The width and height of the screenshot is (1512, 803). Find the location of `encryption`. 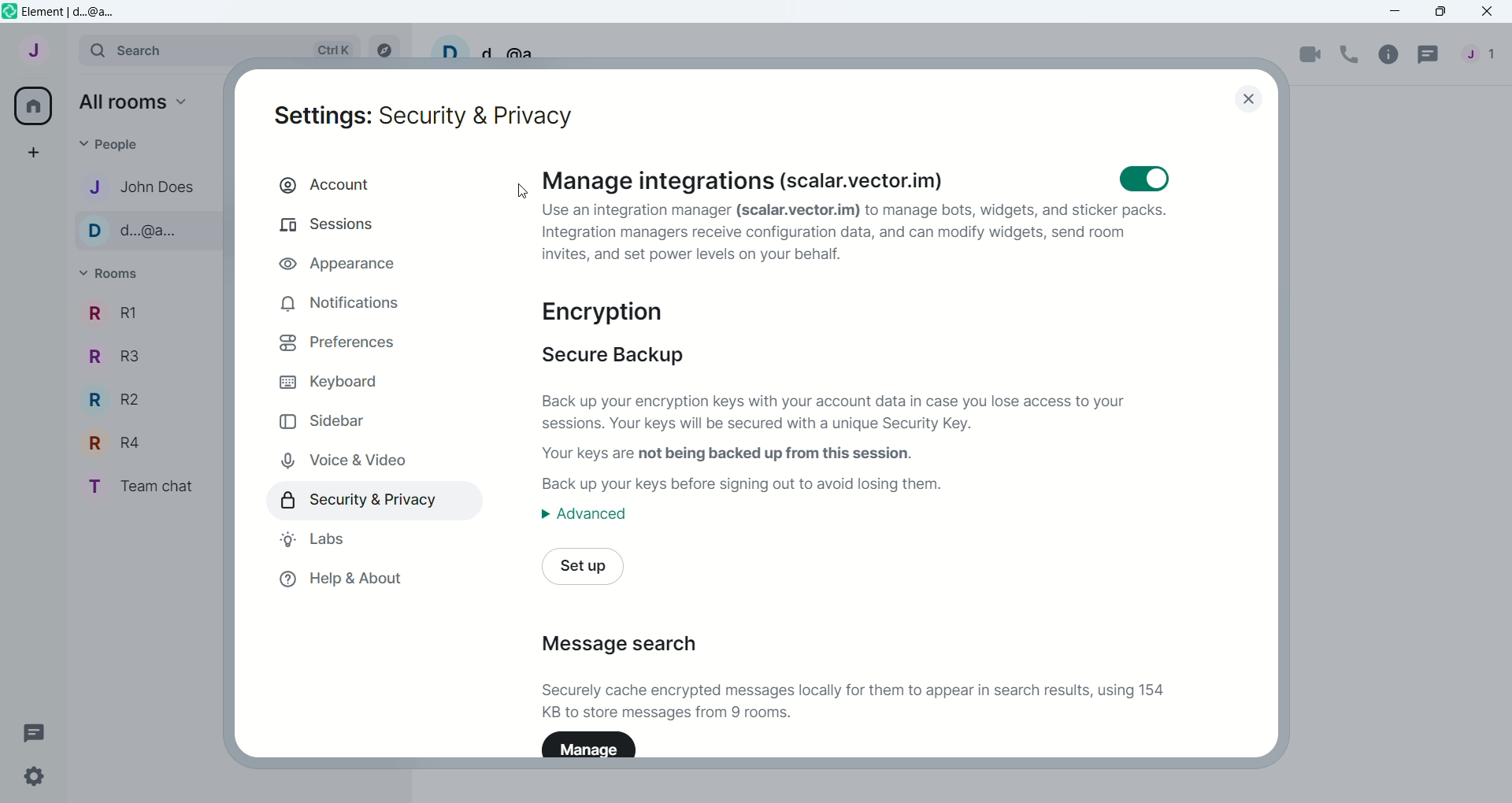

encryption is located at coordinates (608, 315).